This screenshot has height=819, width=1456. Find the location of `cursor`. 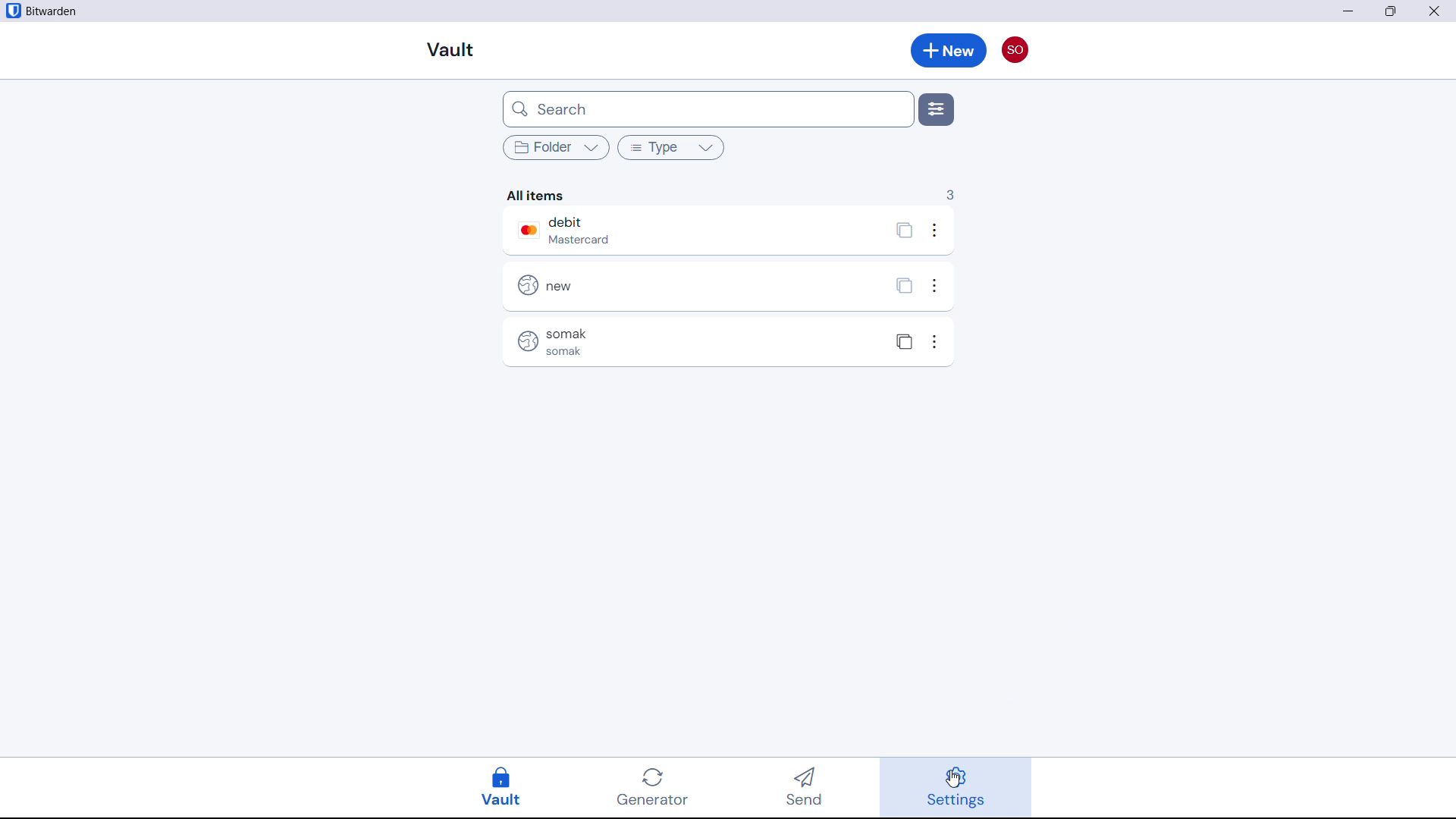

cursor is located at coordinates (953, 780).